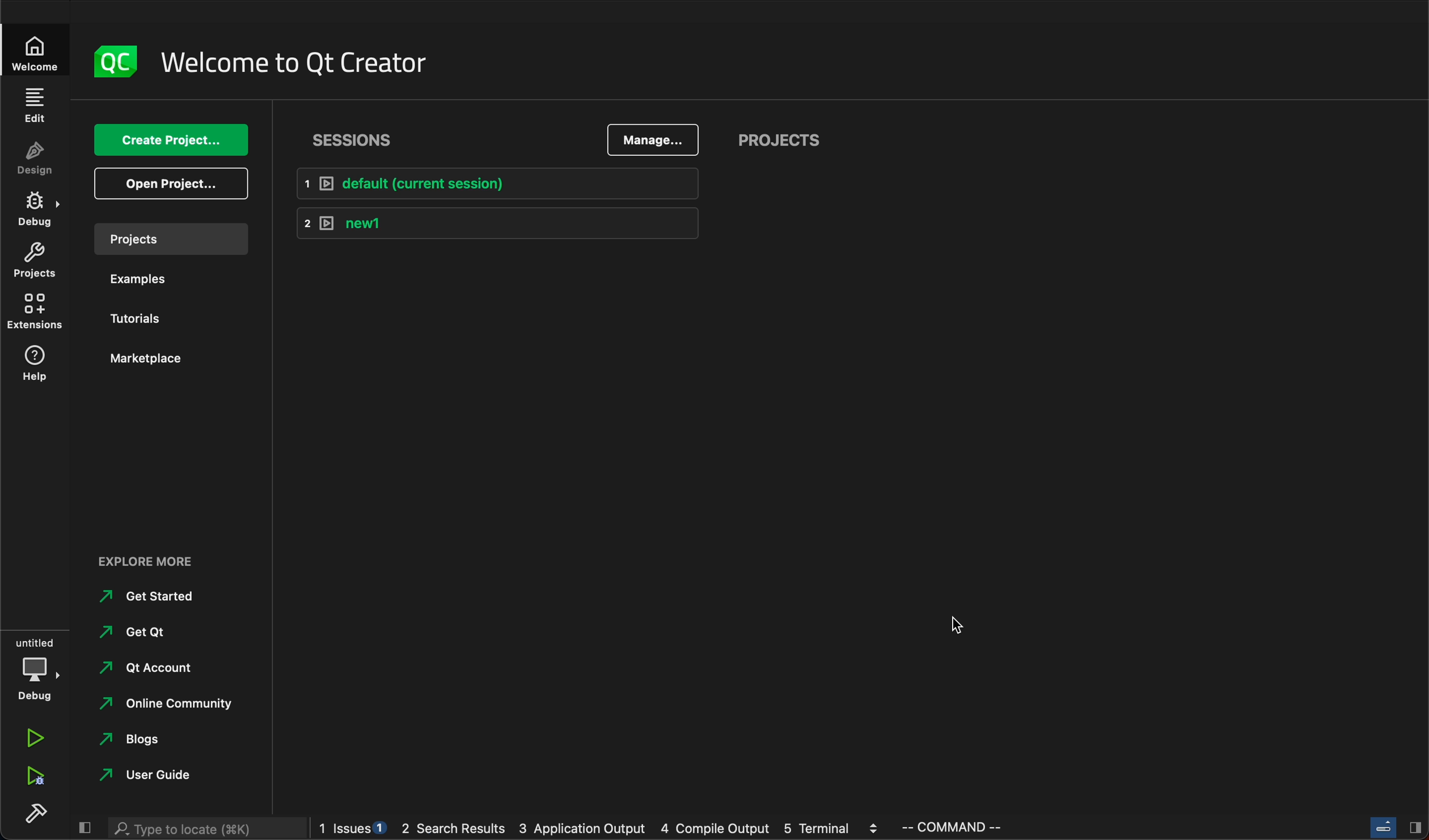  Describe the element at coordinates (158, 632) in the screenshot. I see `get ` at that location.